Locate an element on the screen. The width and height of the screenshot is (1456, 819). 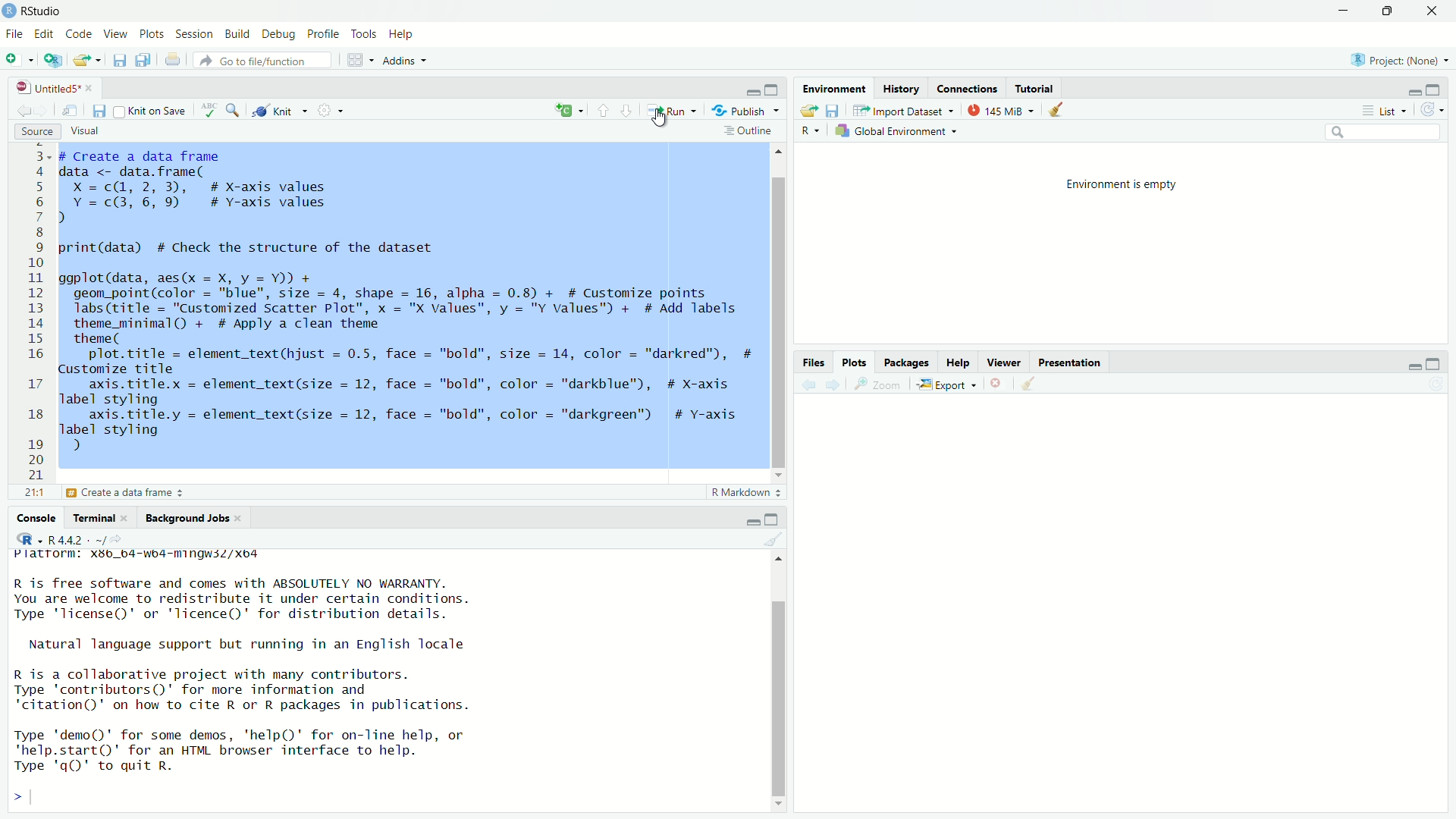
Go to file/function is located at coordinates (262, 60).